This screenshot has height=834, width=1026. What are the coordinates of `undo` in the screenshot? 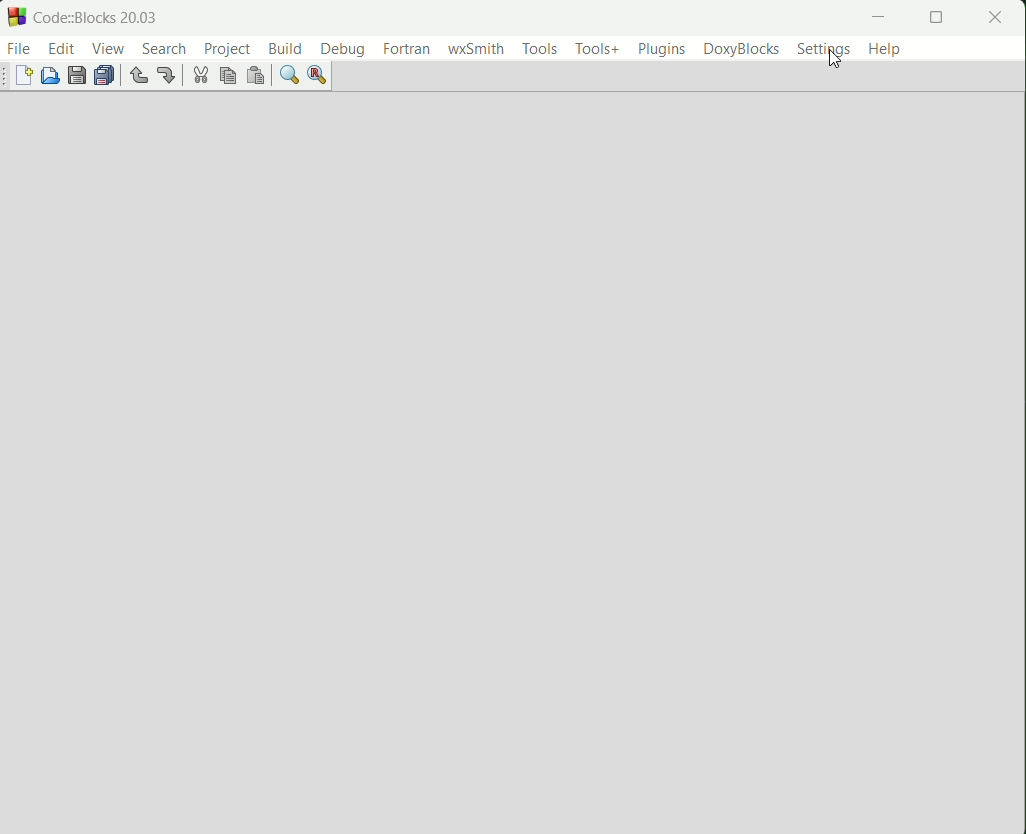 It's located at (139, 77).